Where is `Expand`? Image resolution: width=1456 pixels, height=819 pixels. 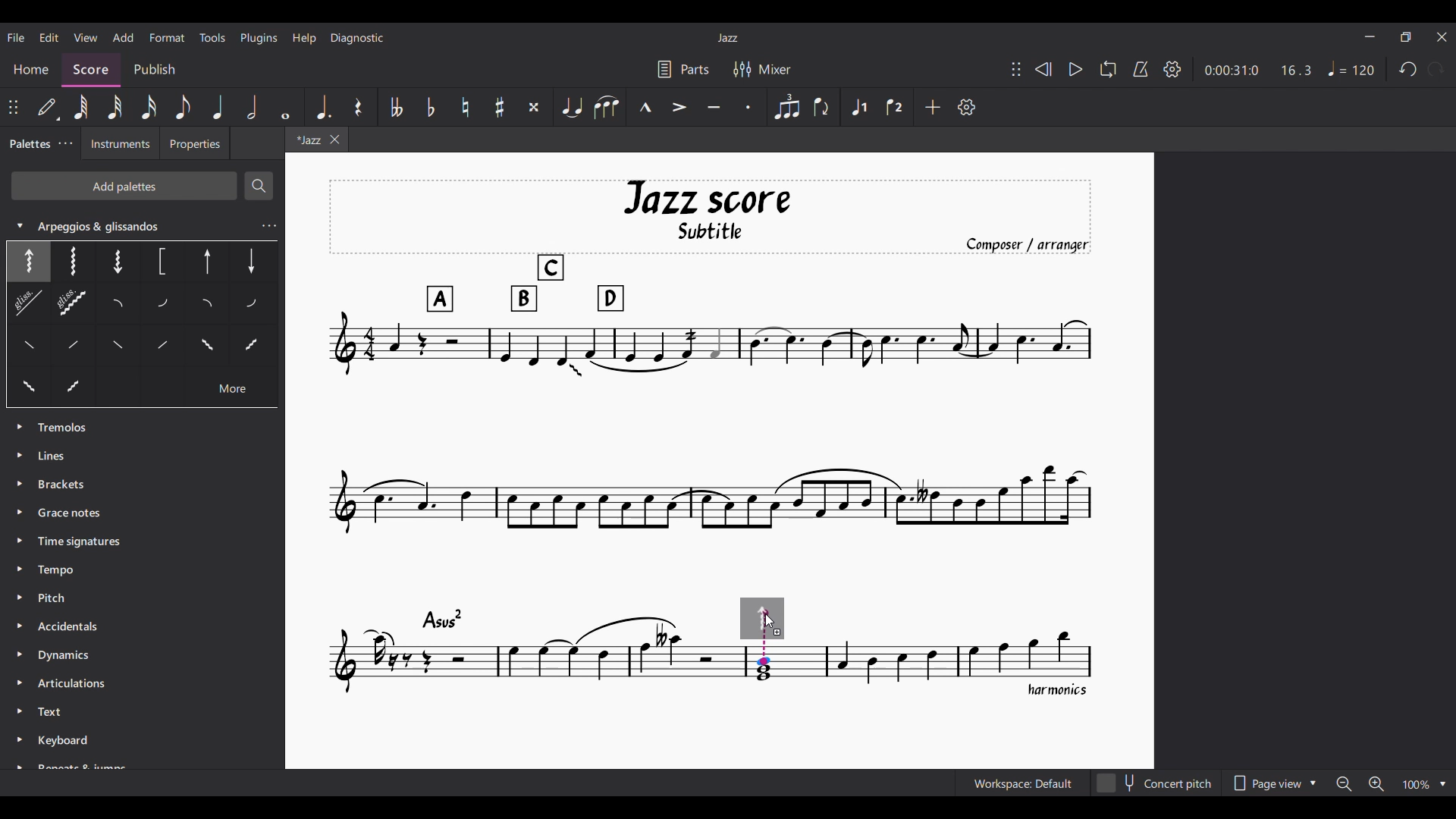
Expand is located at coordinates (17, 594).